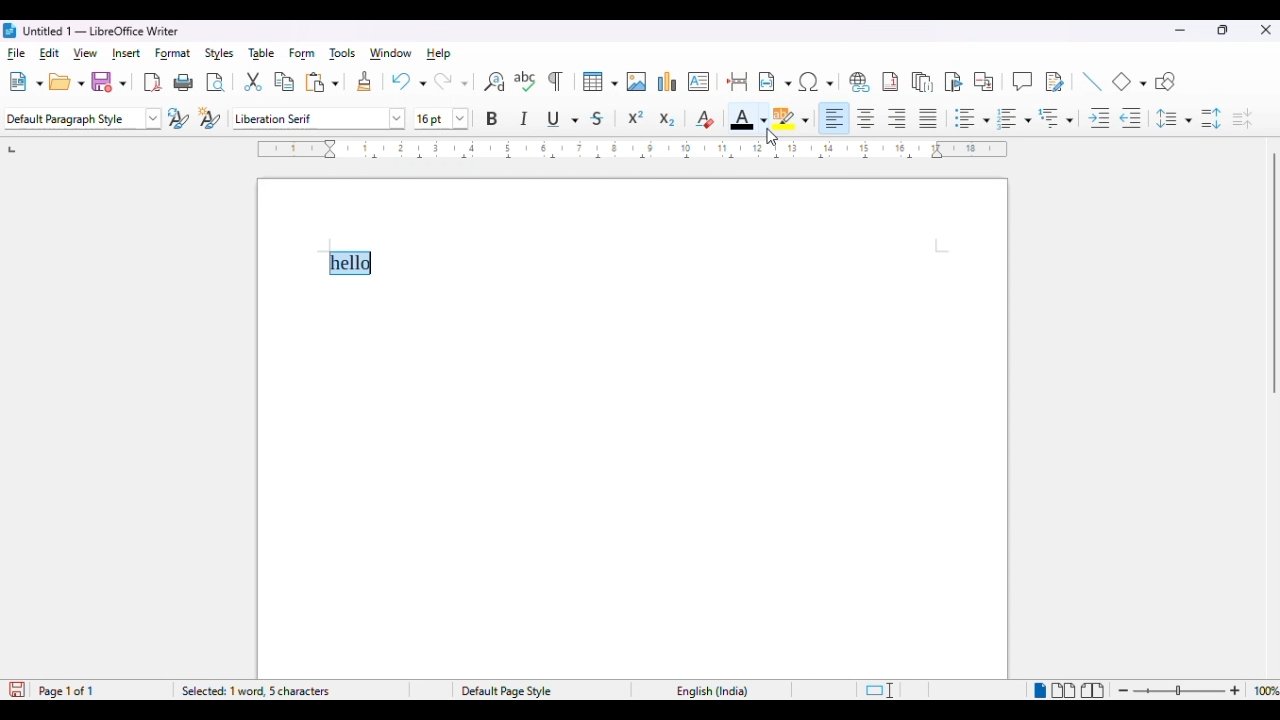 The height and width of the screenshot is (720, 1280). What do you see at coordinates (1174, 118) in the screenshot?
I see `set line spacing` at bounding box center [1174, 118].